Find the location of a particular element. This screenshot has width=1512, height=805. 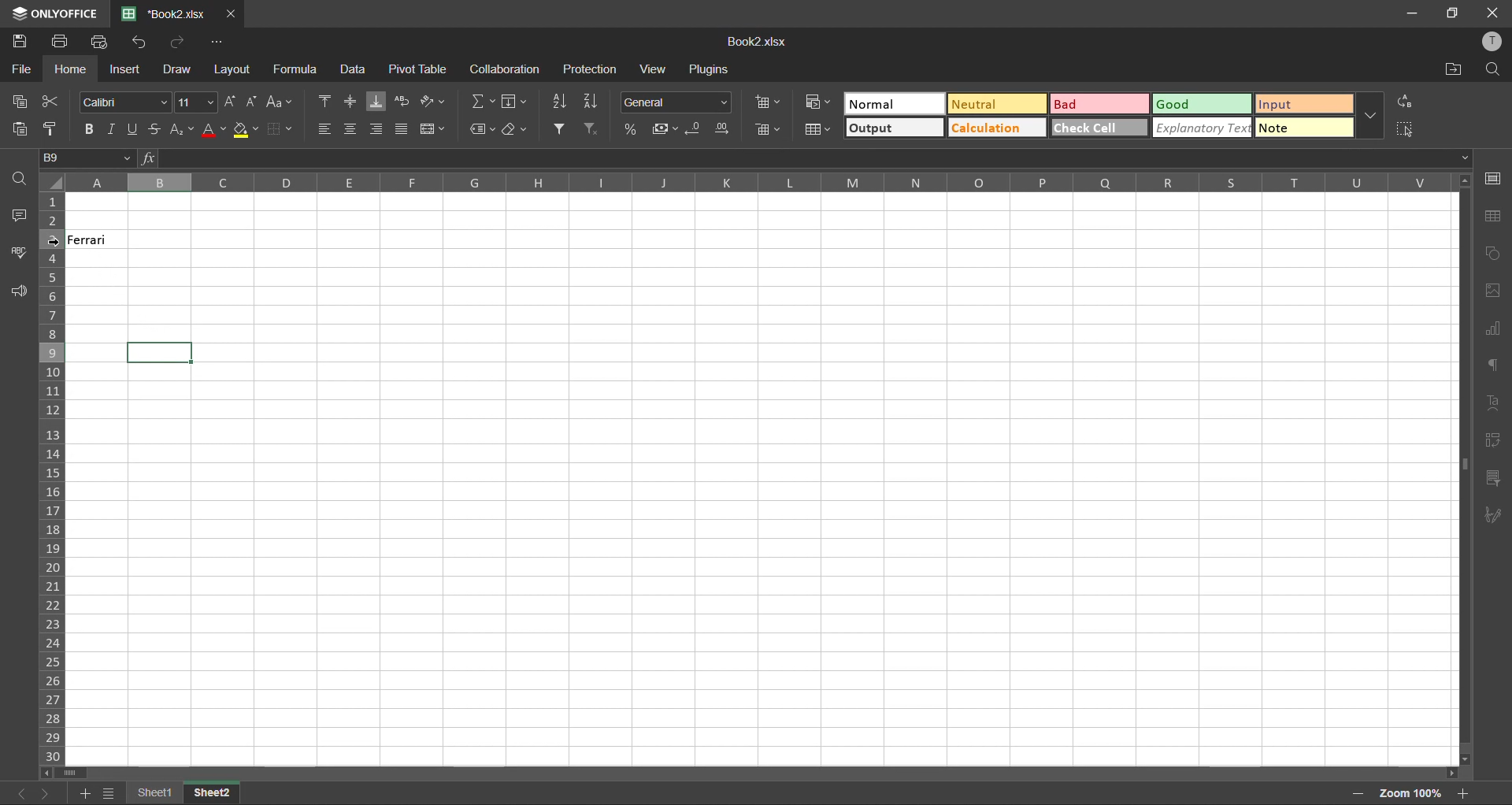

zoom in is located at coordinates (1465, 791).